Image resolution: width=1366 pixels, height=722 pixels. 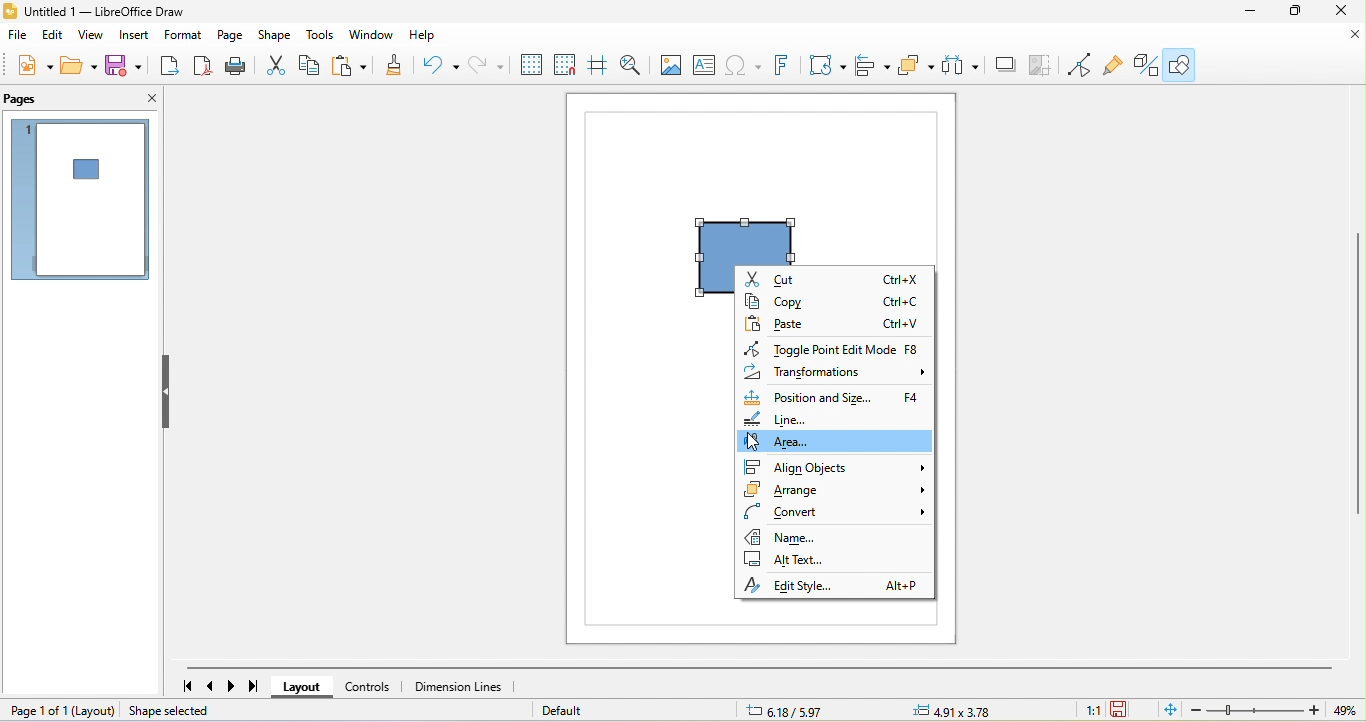 I want to click on close, so click(x=1351, y=36).